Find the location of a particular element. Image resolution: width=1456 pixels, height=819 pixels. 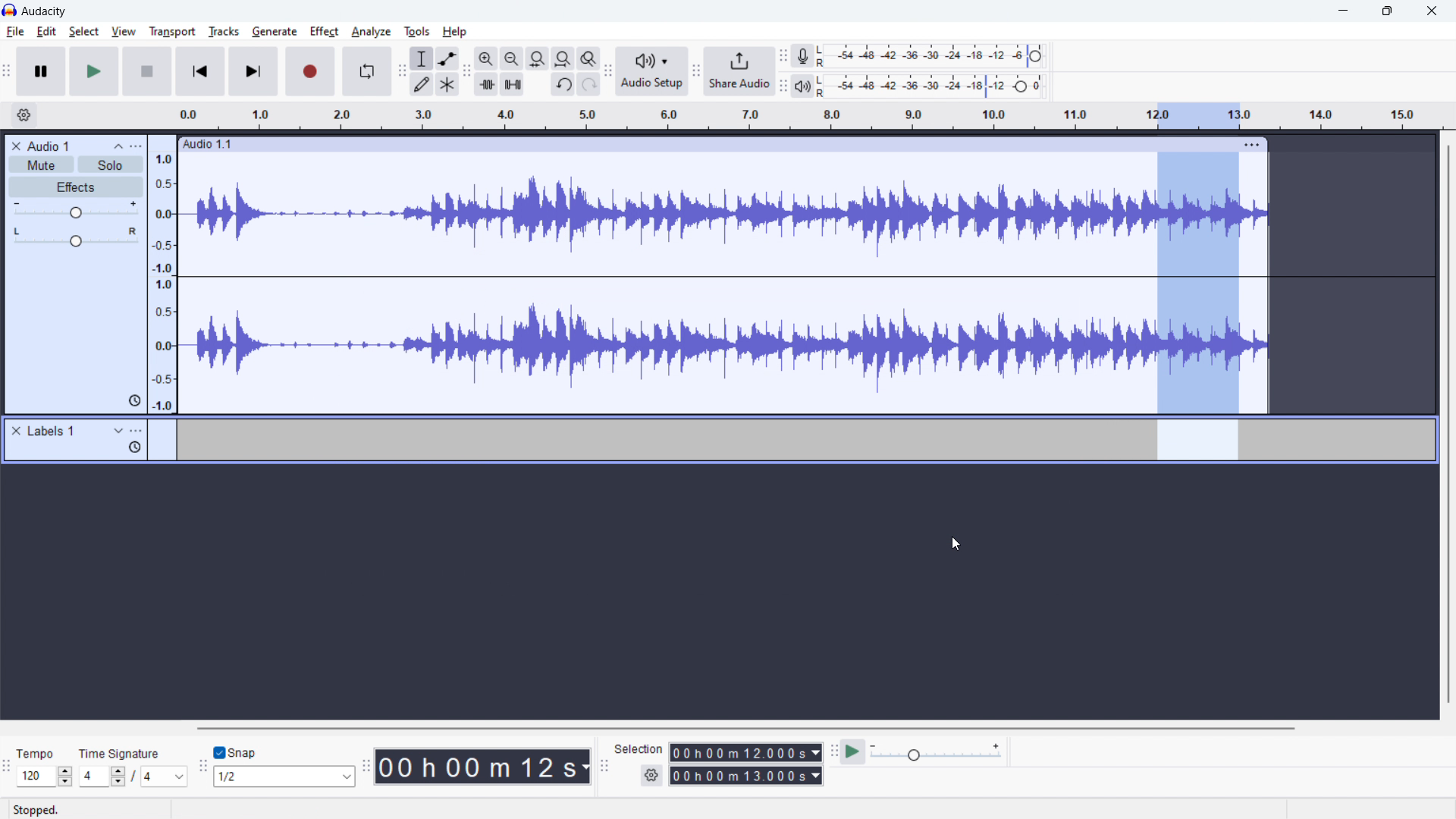

set tempo is located at coordinates (45, 777).